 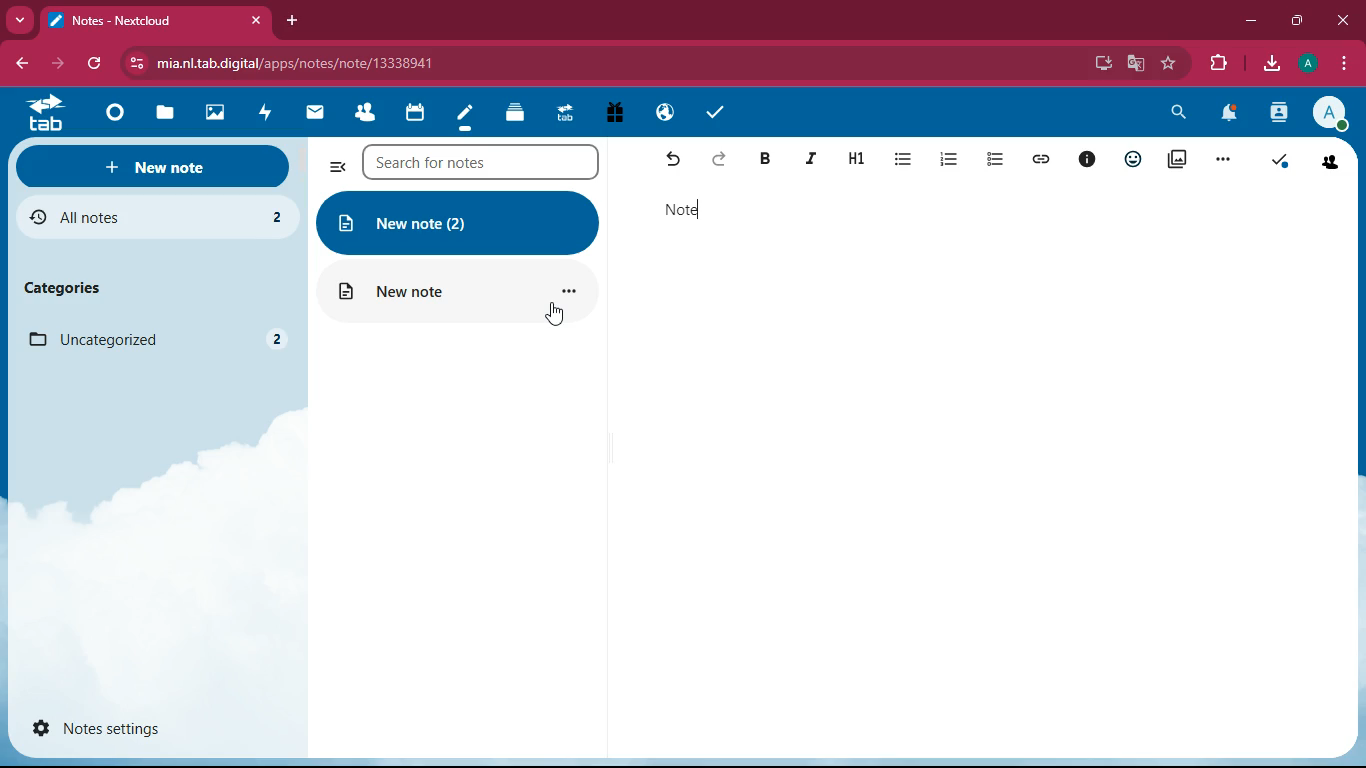 What do you see at coordinates (368, 112) in the screenshot?
I see `friends` at bounding box center [368, 112].